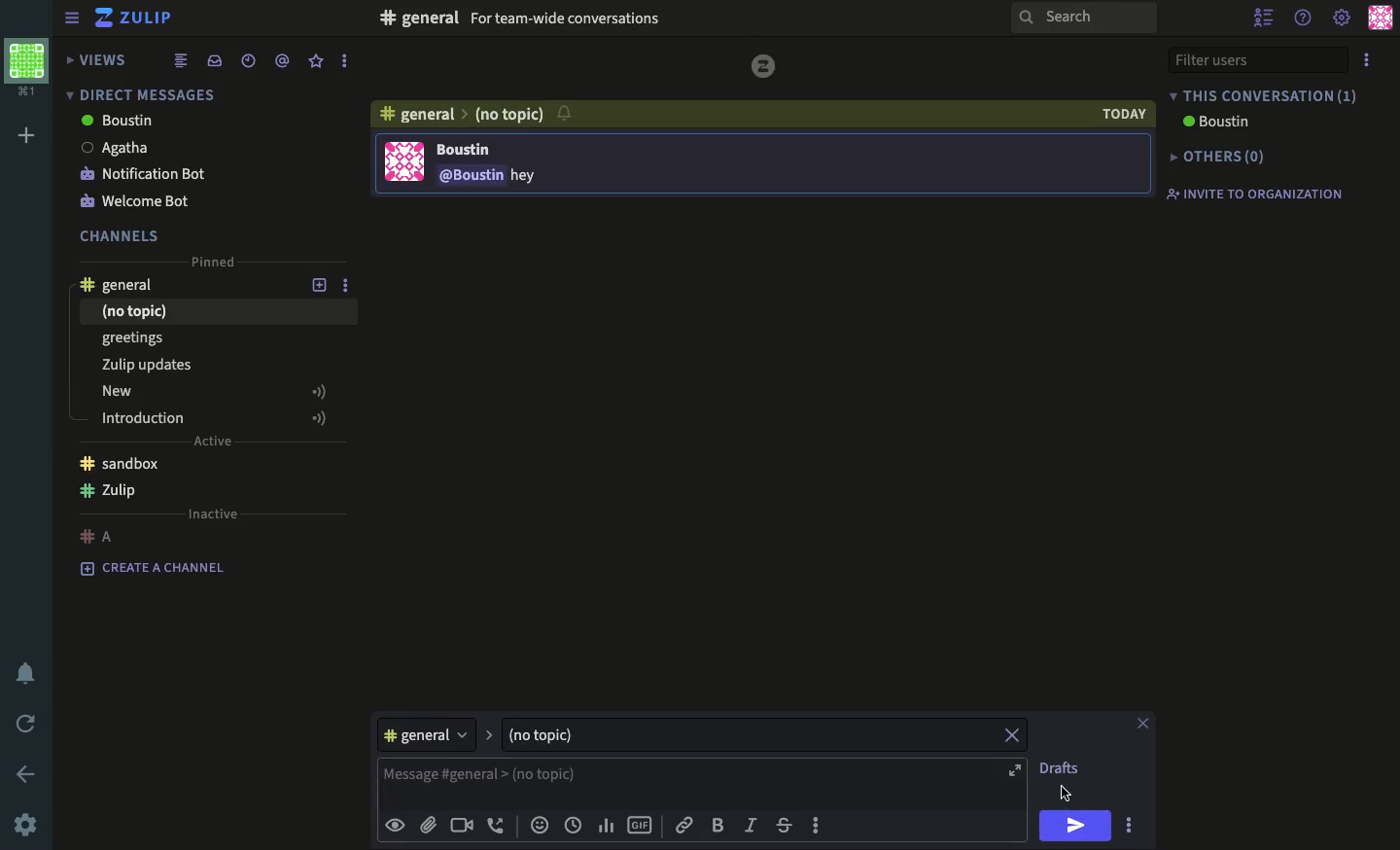 Image resolution: width=1400 pixels, height=850 pixels. I want to click on options, so click(1130, 826).